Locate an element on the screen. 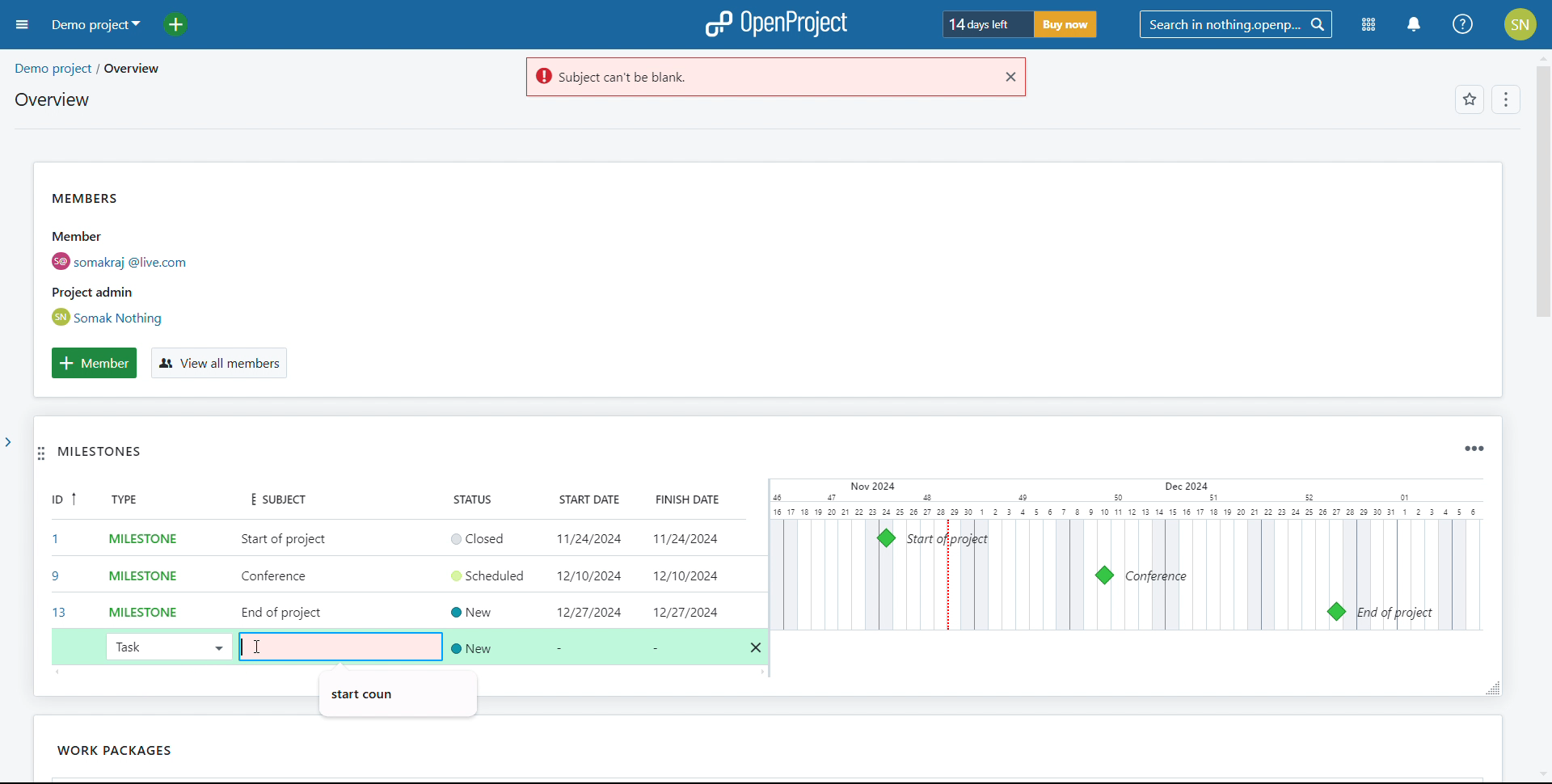 The height and width of the screenshot is (784, 1552). open sidebar menu is located at coordinates (23, 25).